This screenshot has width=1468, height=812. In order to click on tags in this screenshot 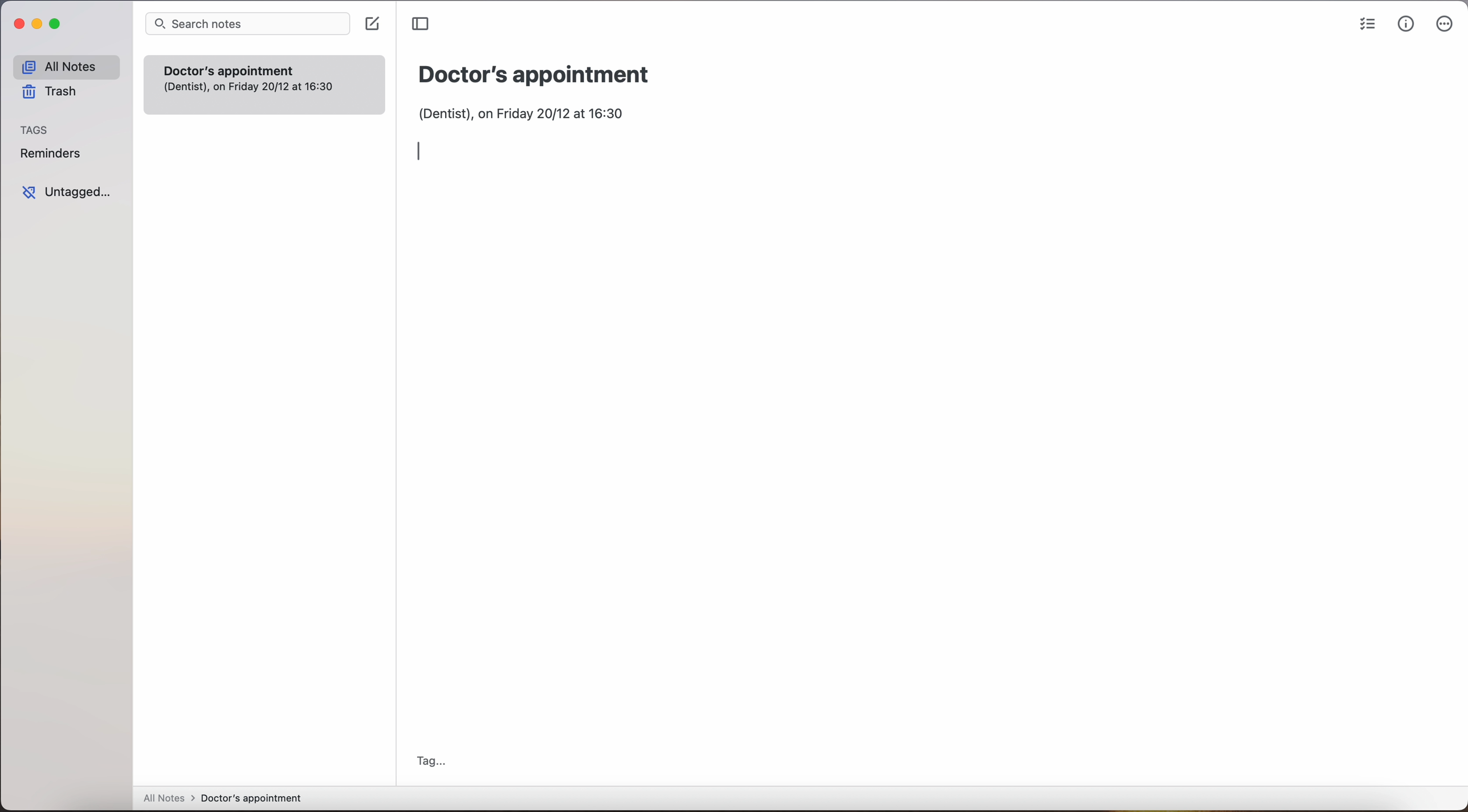, I will do `click(35, 130)`.